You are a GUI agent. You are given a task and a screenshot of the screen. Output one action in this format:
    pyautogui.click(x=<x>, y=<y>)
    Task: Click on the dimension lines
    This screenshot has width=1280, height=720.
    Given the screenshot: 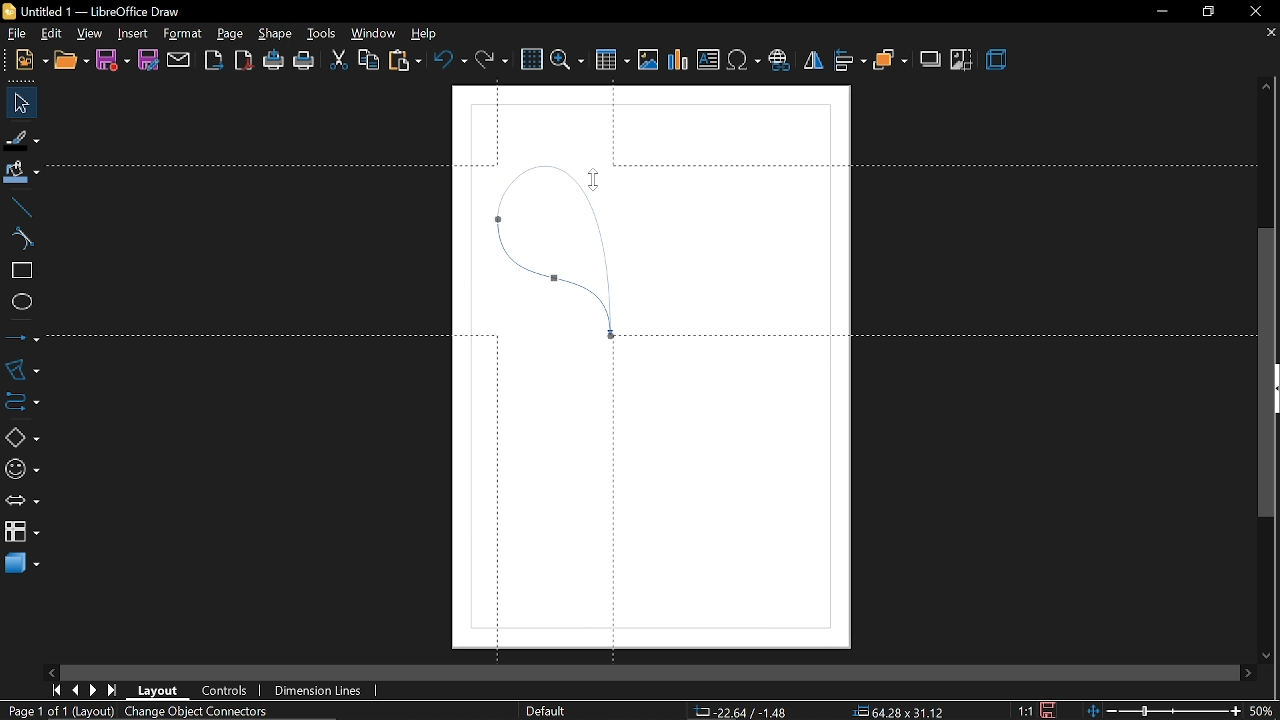 What is the action you would take?
    pyautogui.click(x=321, y=691)
    